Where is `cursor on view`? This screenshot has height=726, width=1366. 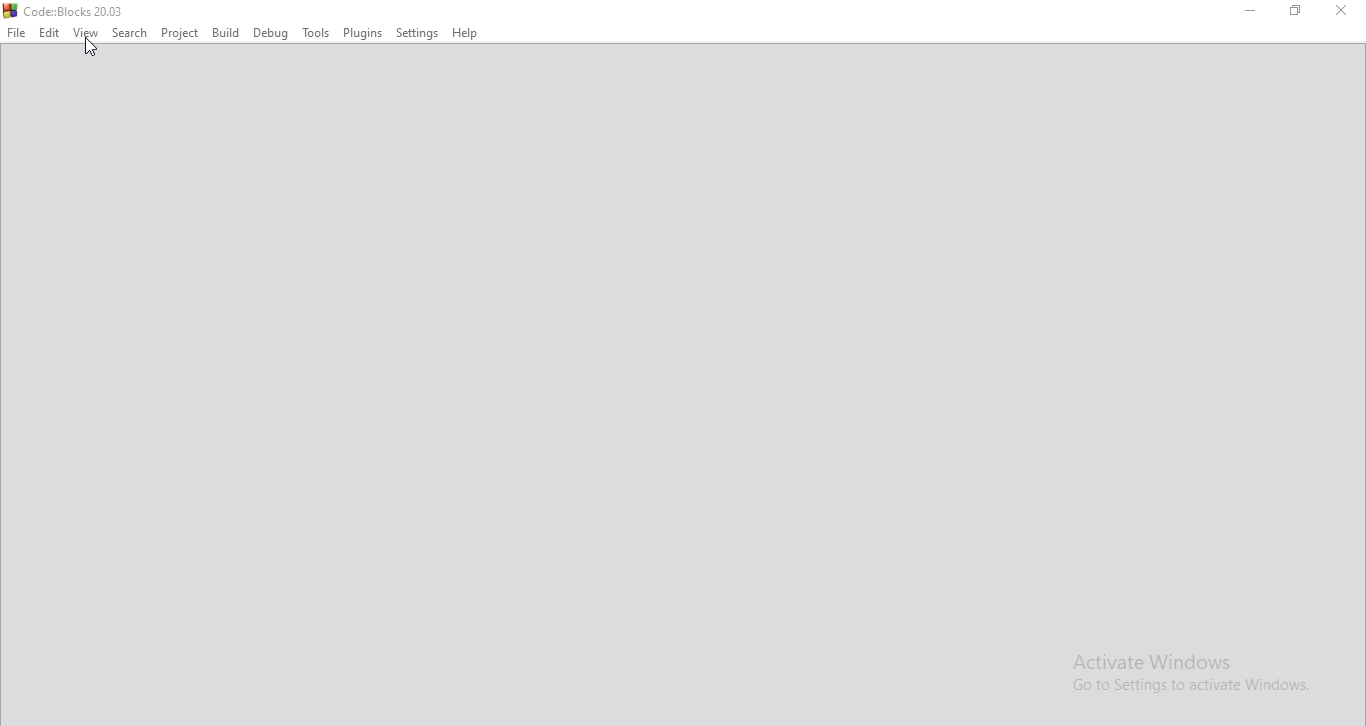 cursor on view is located at coordinates (91, 46).